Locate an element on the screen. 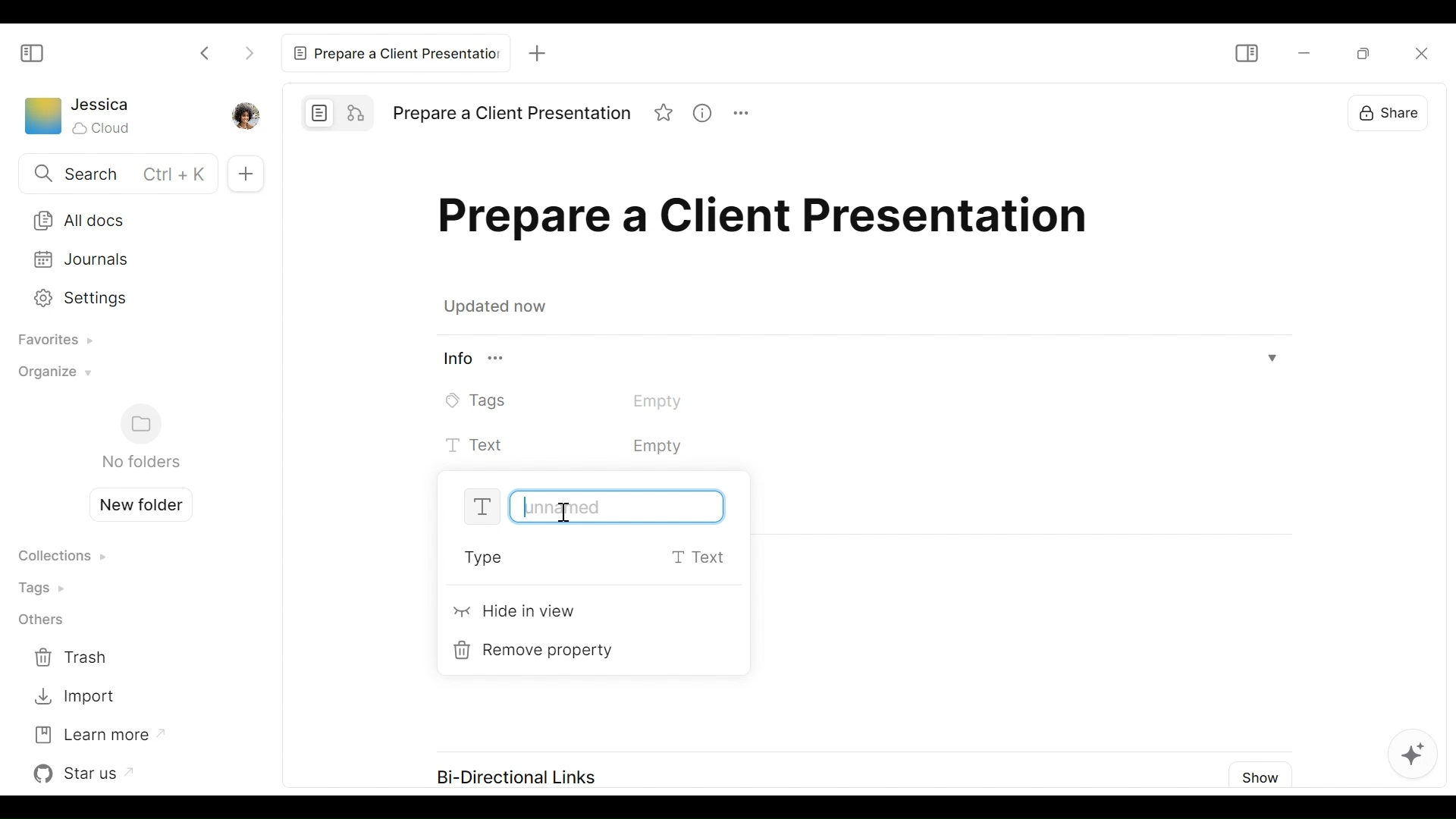 The height and width of the screenshot is (819, 1456). Minimize is located at coordinates (1368, 55).